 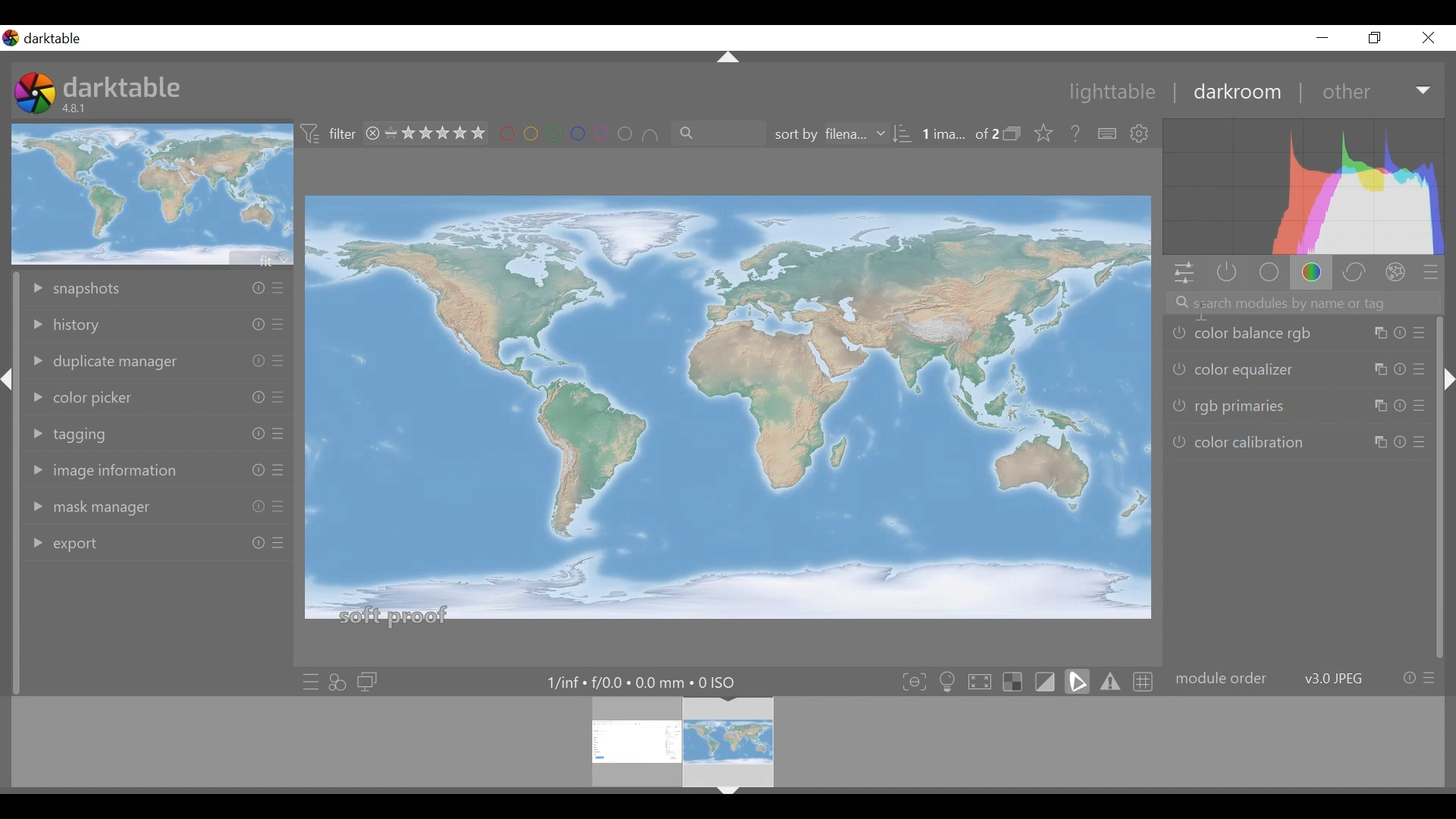 What do you see at coordinates (107, 431) in the screenshot?
I see `tagging` at bounding box center [107, 431].